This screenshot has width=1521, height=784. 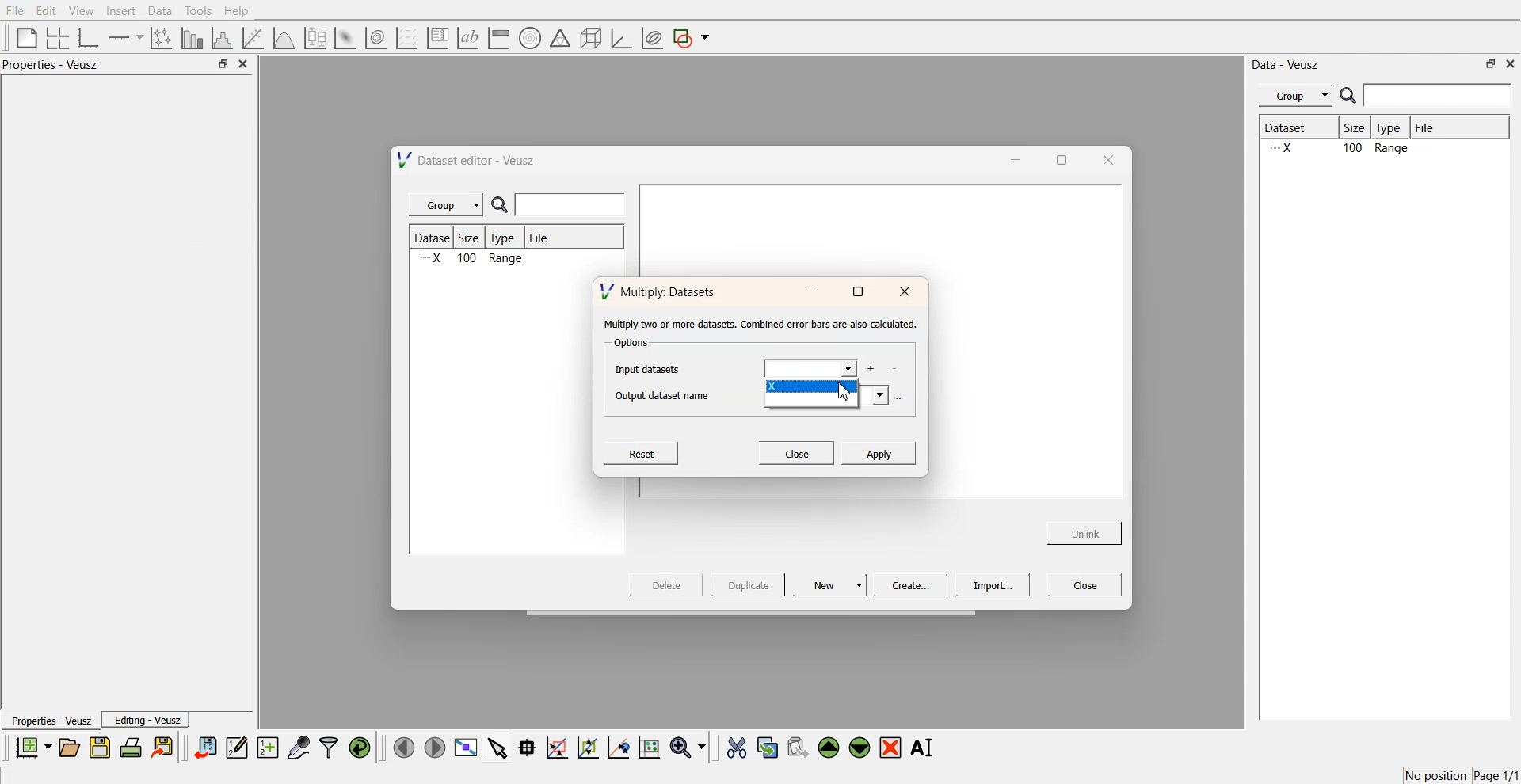 What do you see at coordinates (437, 38) in the screenshot?
I see `plot key` at bounding box center [437, 38].